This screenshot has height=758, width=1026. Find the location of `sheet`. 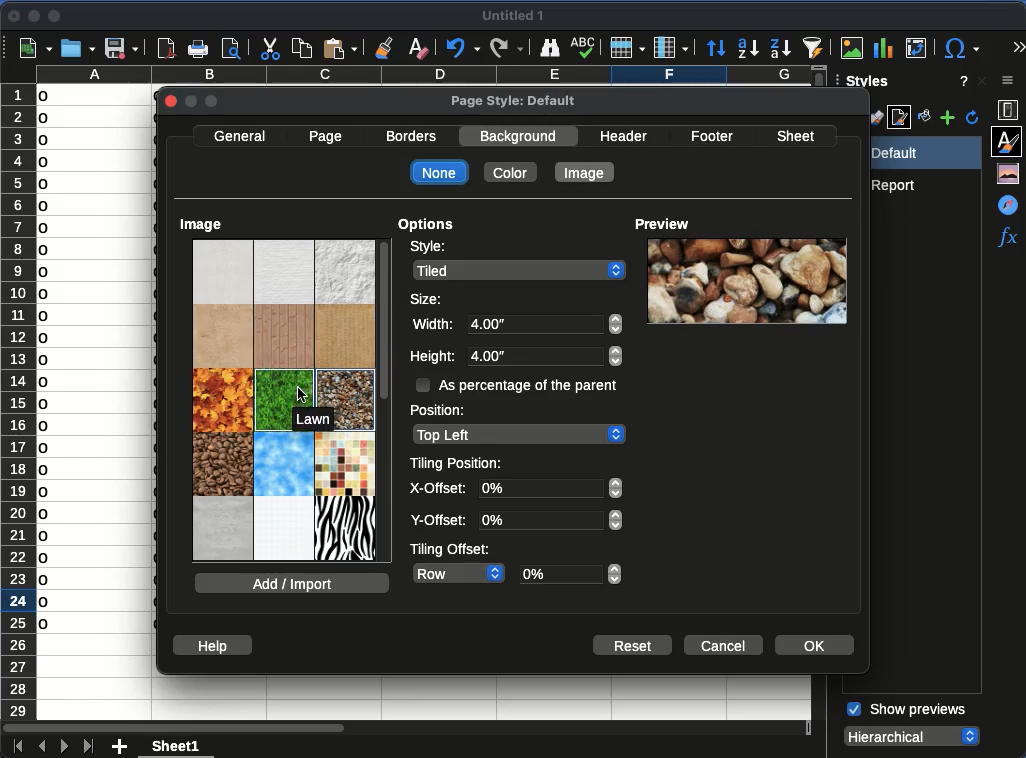

sheet is located at coordinates (178, 745).